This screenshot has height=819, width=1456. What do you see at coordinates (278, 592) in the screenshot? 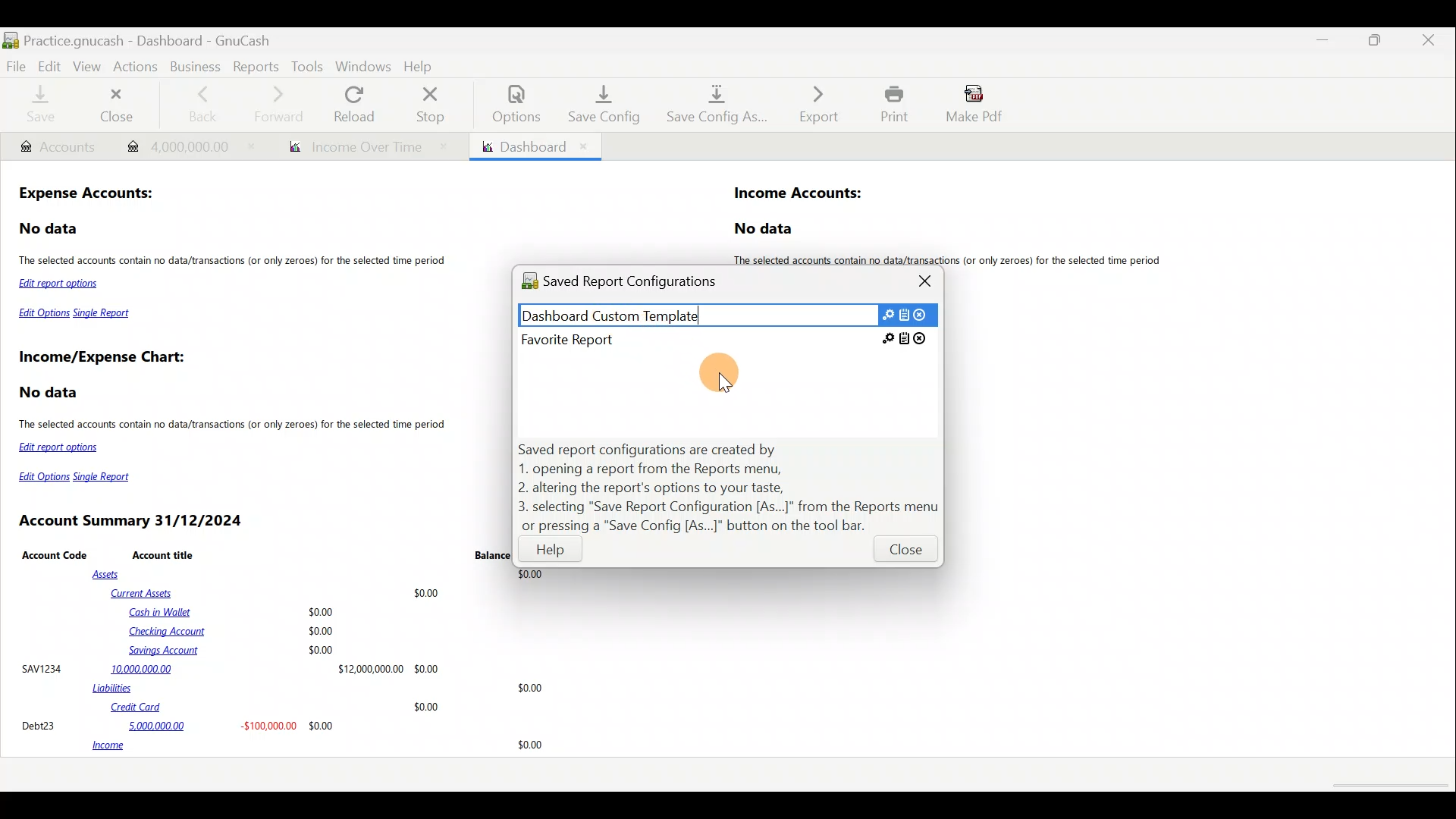
I see `Current Assets $0.00` at bounding box center [278, 592].